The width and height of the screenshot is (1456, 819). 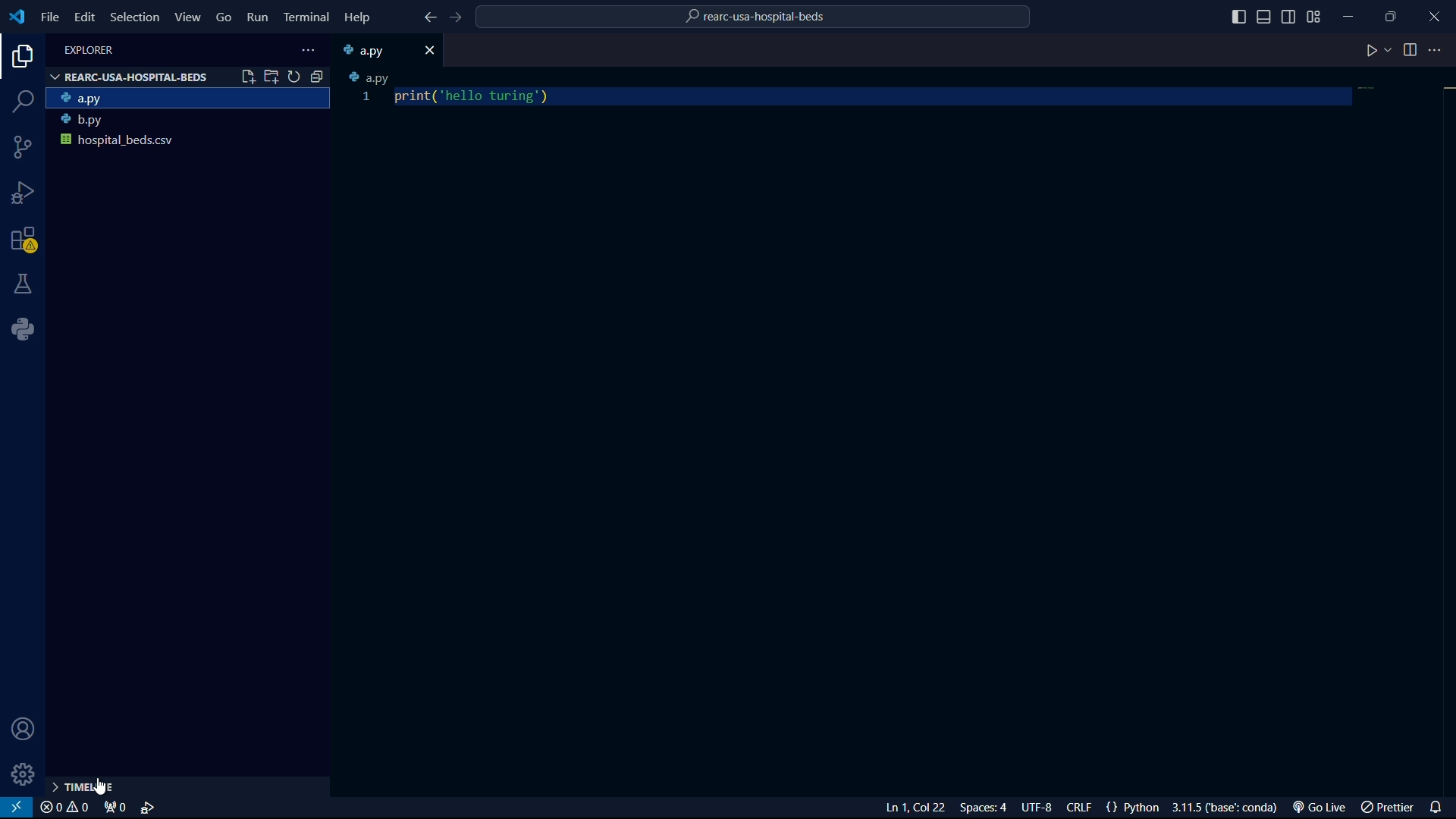 I want to click on close app, so click(x=1434, y=14).